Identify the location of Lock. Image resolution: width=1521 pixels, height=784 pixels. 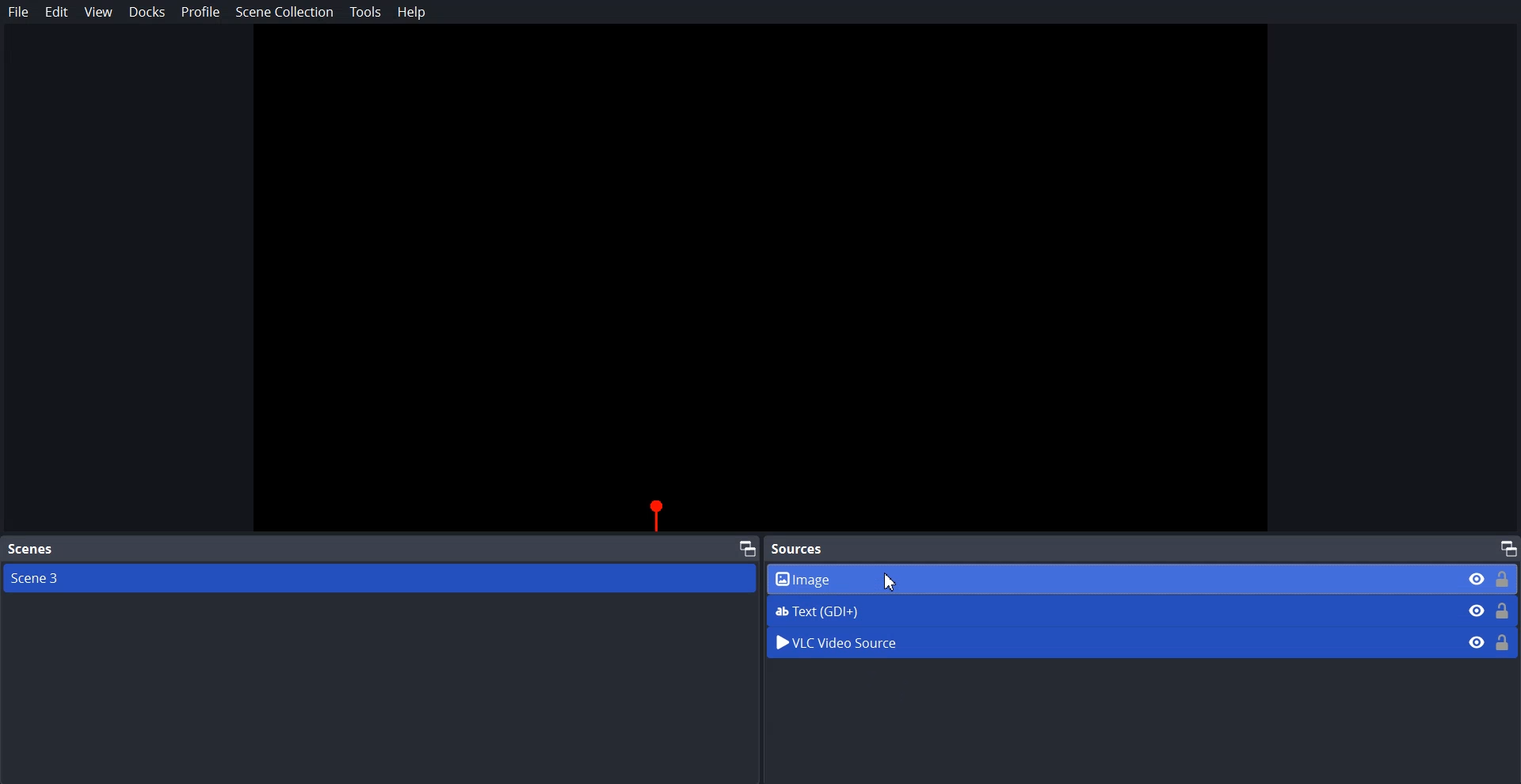
(1504, 641).